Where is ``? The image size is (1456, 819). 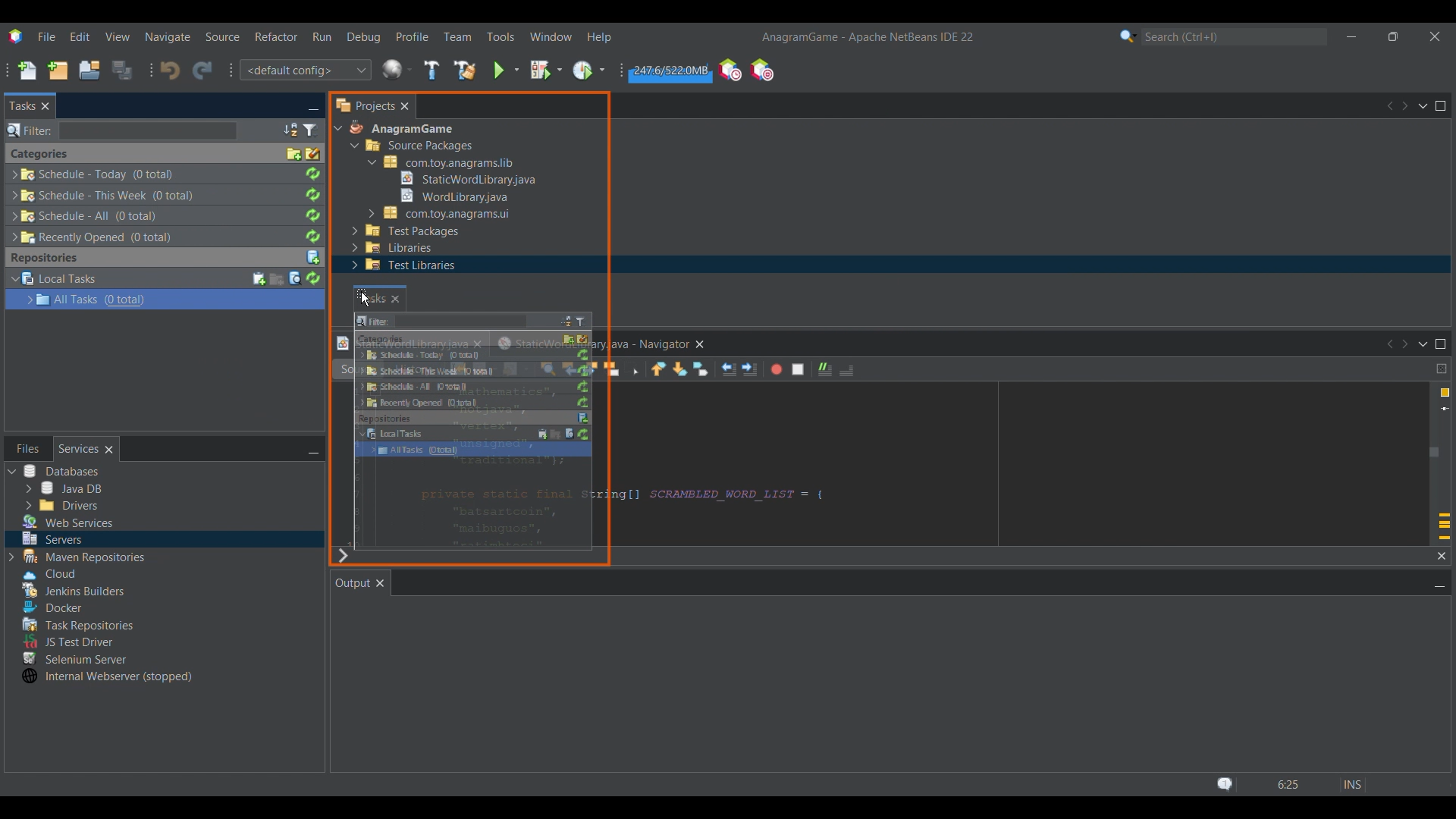  is located at coordinates (94, 174).